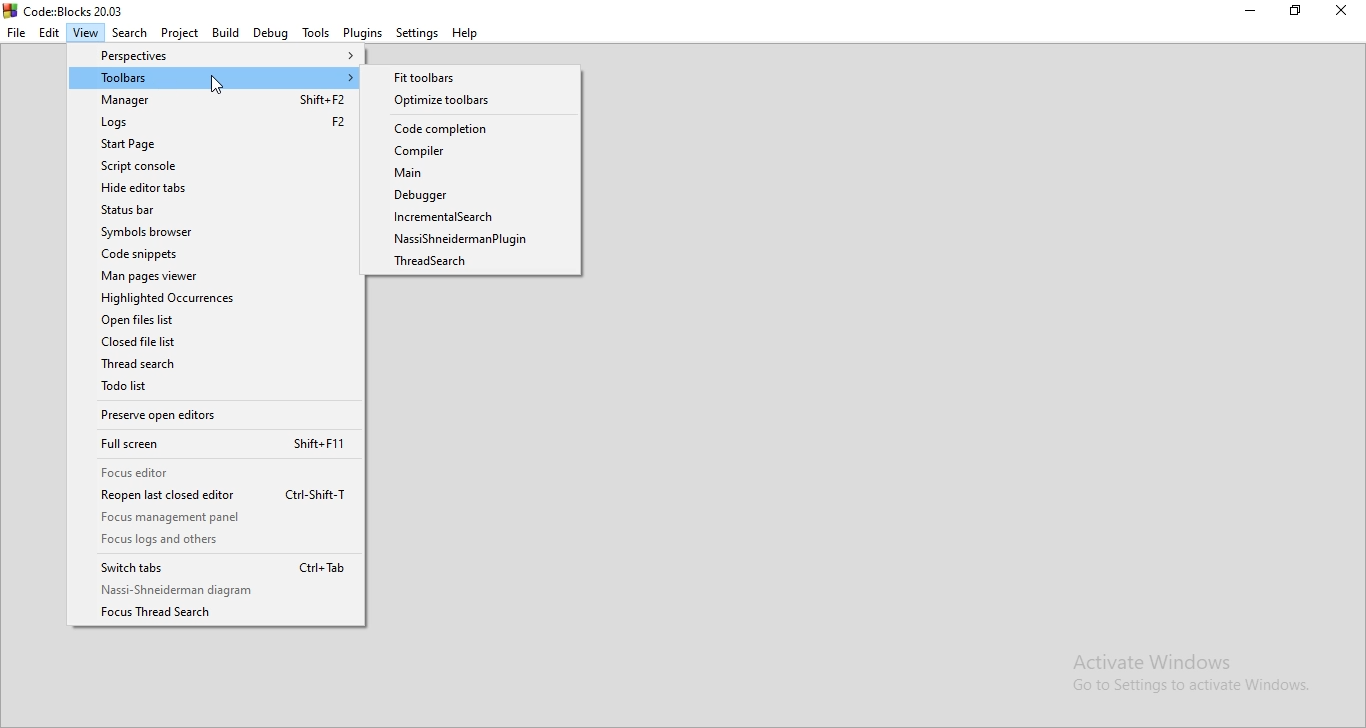  What do you see at coordinates (75, 10) in the screenshot?
I see `Code:Blocks 20.03` at bounding box center [75, 10].